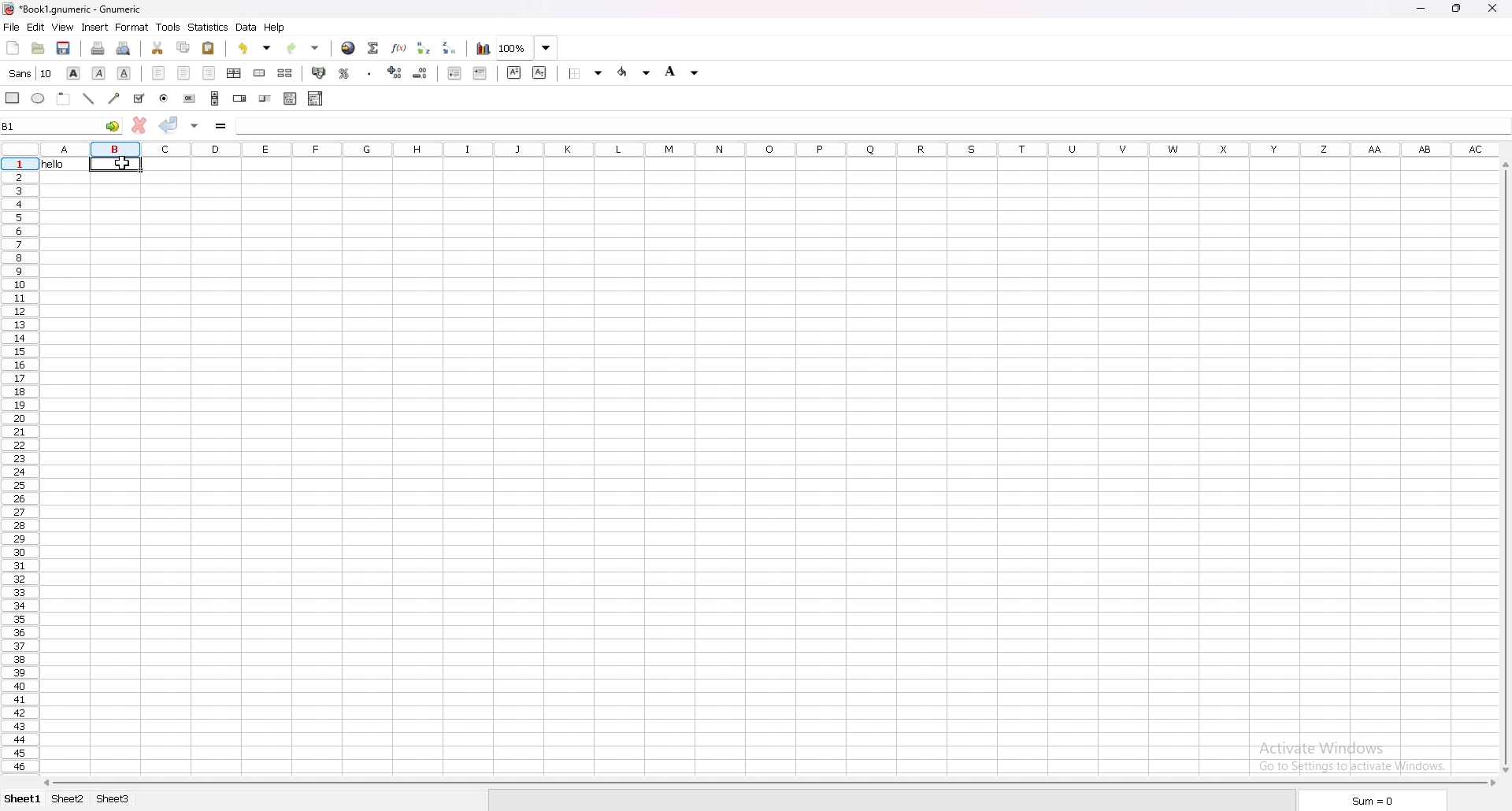  I want to click on align left, so click(158, 73).